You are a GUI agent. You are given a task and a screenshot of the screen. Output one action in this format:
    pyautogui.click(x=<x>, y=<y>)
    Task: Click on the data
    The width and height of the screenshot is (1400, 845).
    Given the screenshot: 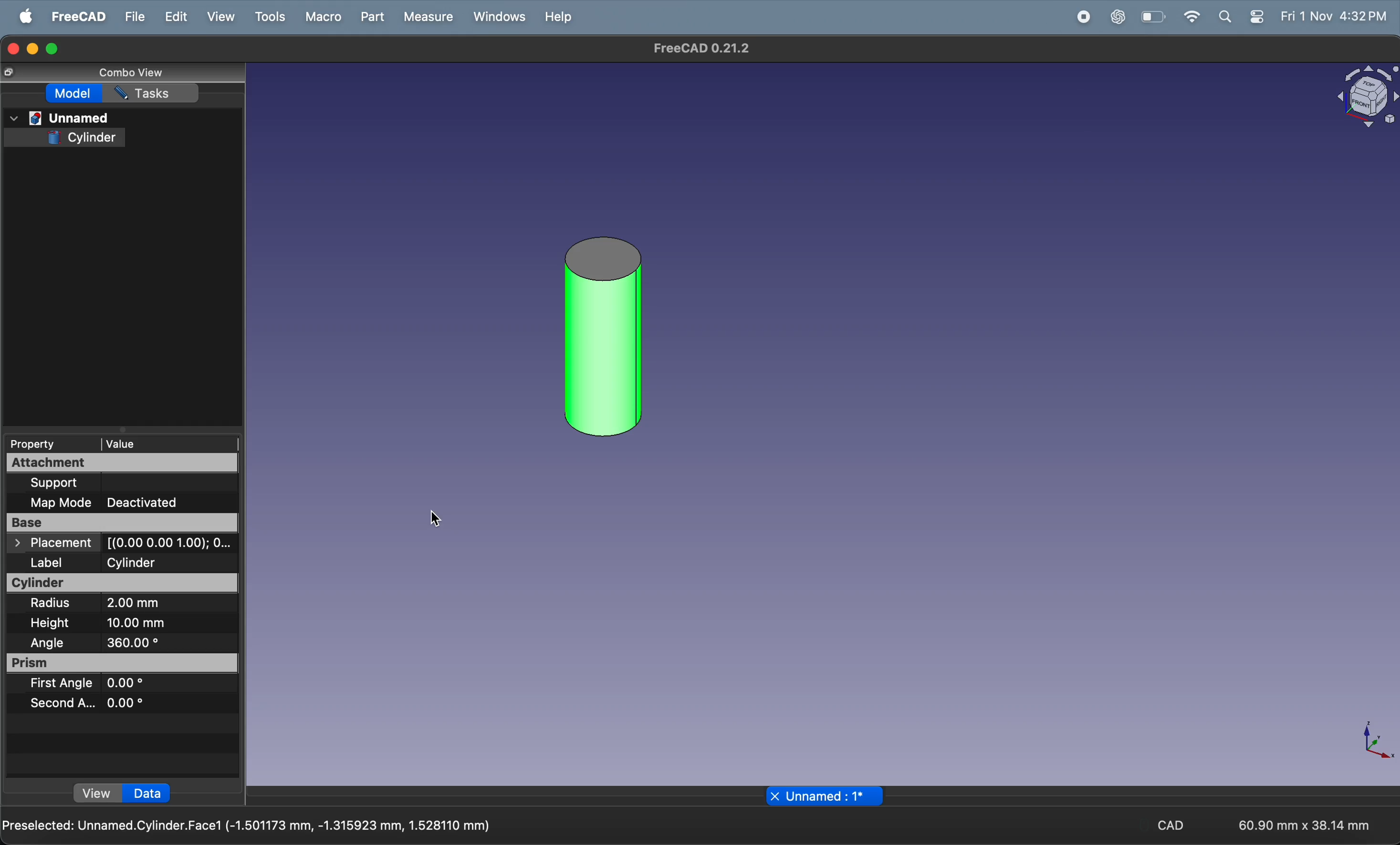 What is the action you would take?
    pyautogui.click(x=148, y=794)
    